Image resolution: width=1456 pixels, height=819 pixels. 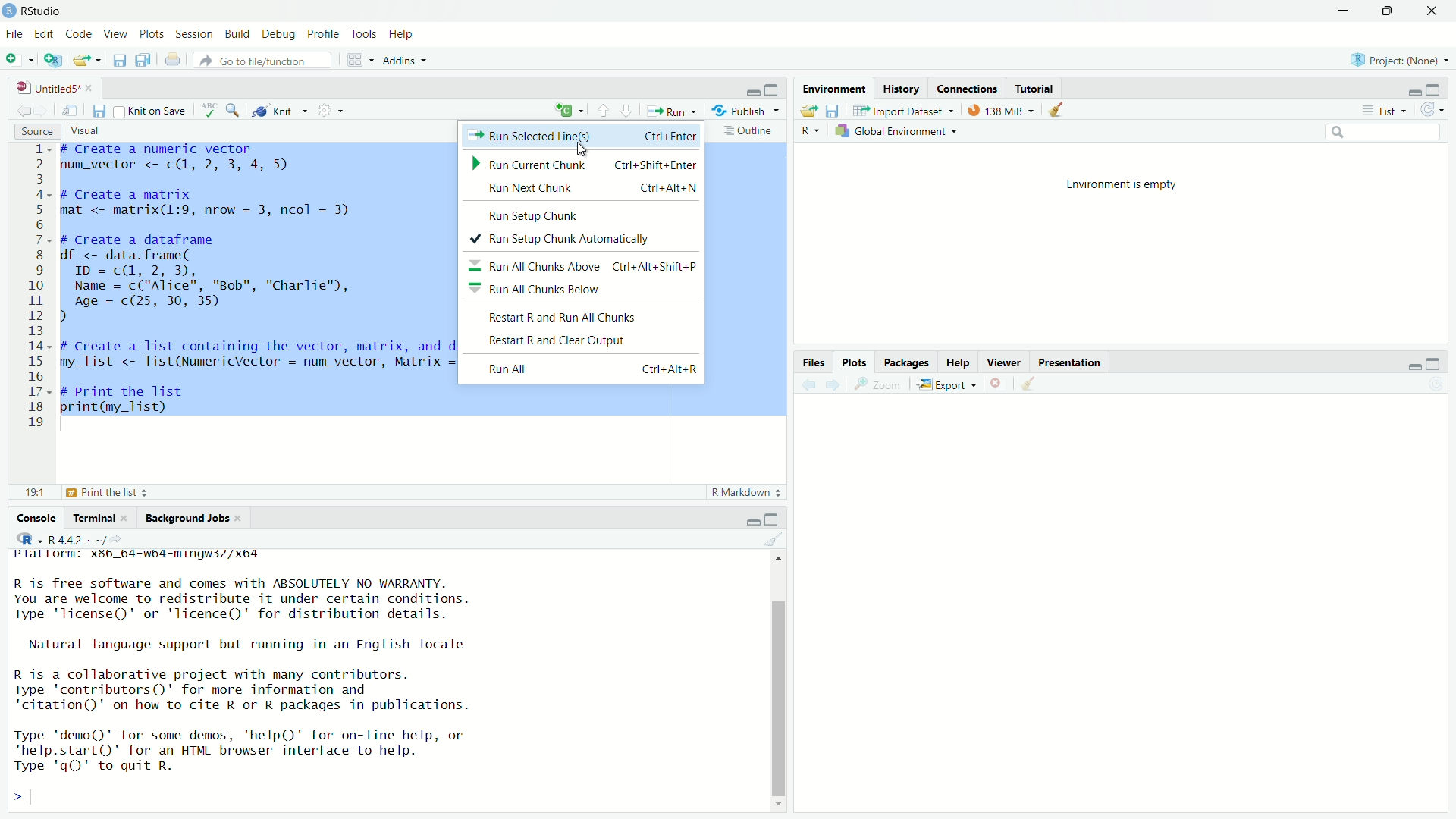 What do you see at coordinates (772, 87) in the screenshot?
I see `maximise` at bounding box center [772, 87].